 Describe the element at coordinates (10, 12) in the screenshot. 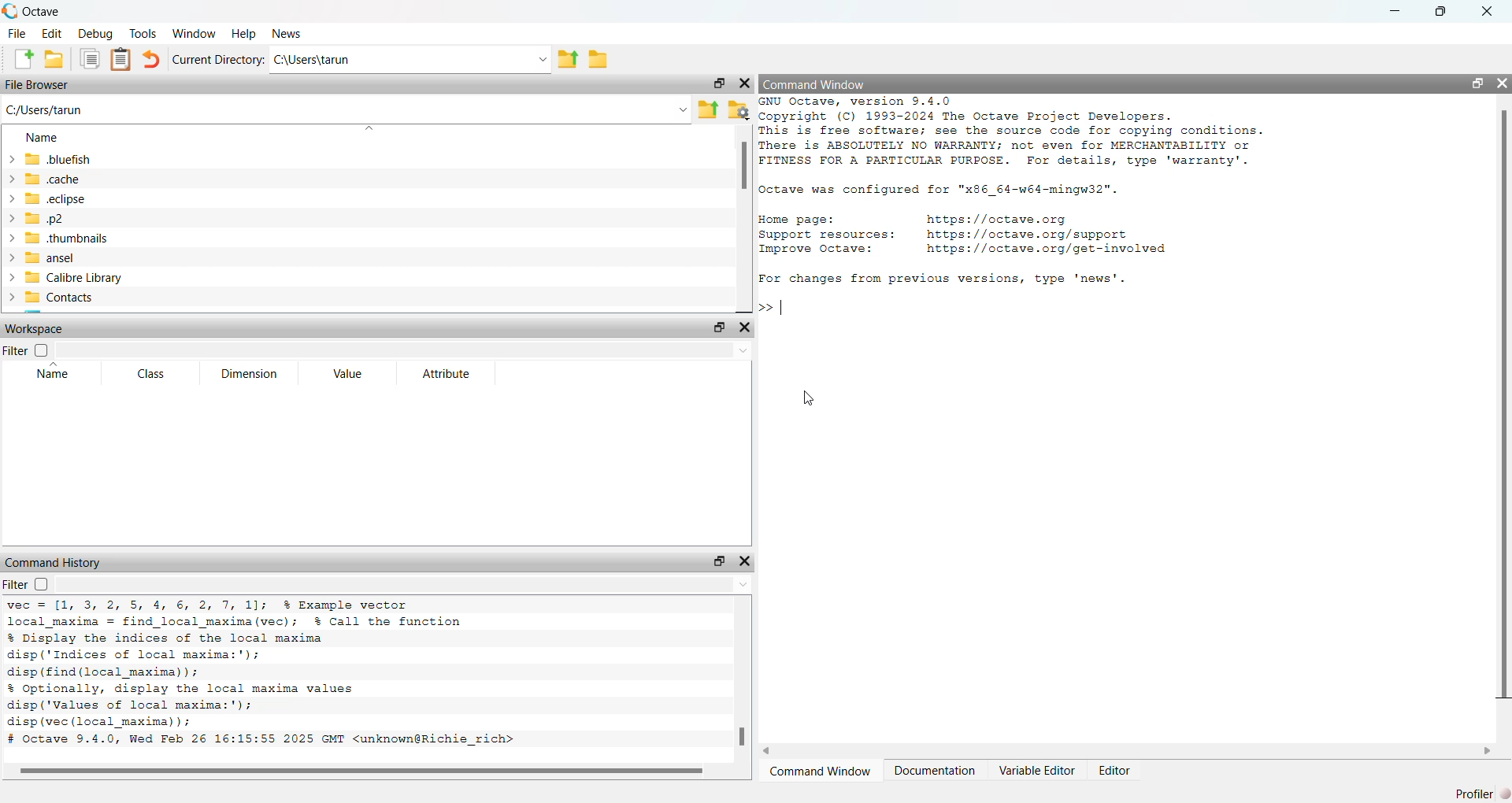

I see `Octave logo` at that location.